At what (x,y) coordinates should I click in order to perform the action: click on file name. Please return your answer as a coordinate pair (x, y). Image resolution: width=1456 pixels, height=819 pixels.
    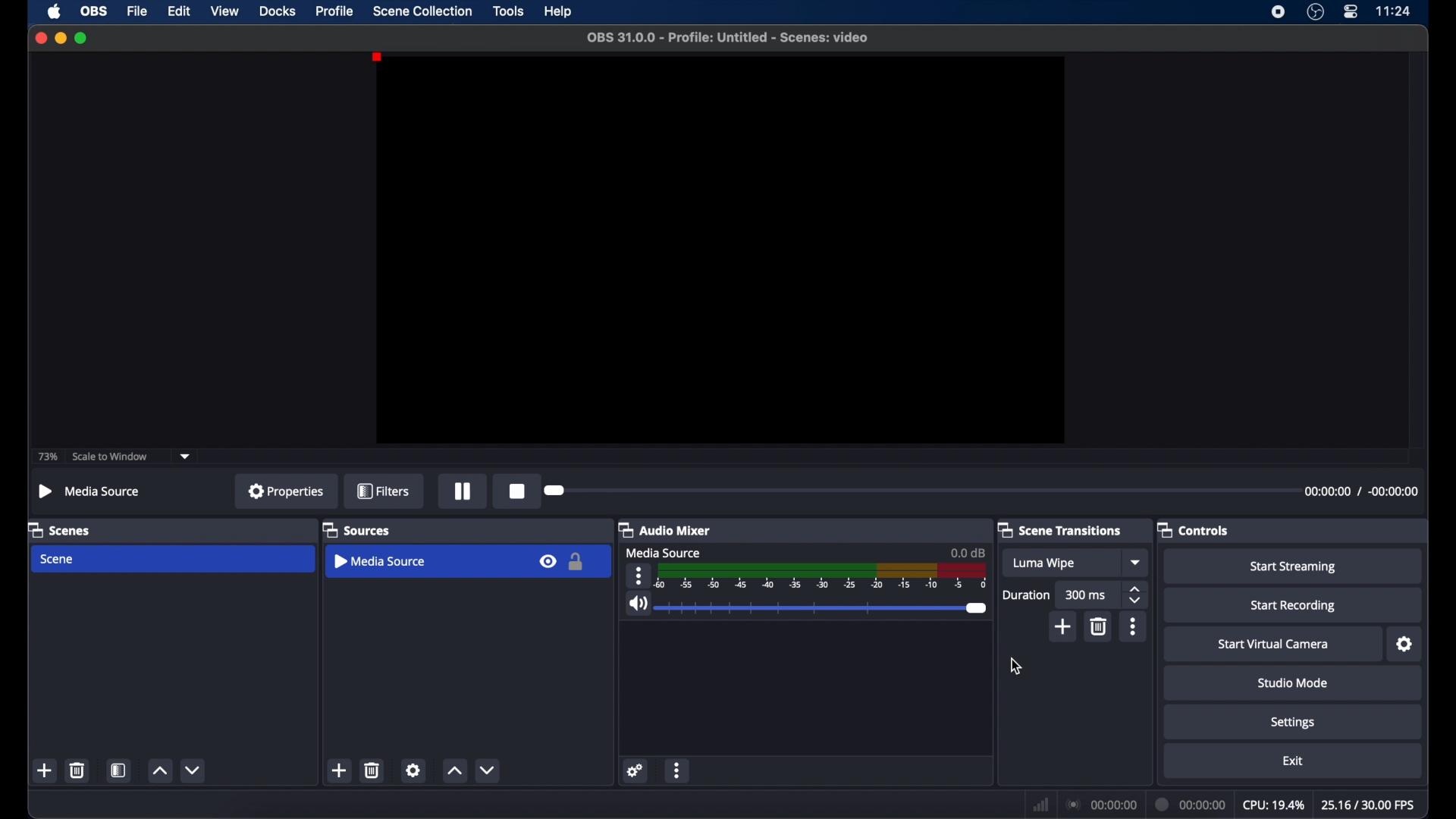
    Looking at the image, I should click on (727, 38).